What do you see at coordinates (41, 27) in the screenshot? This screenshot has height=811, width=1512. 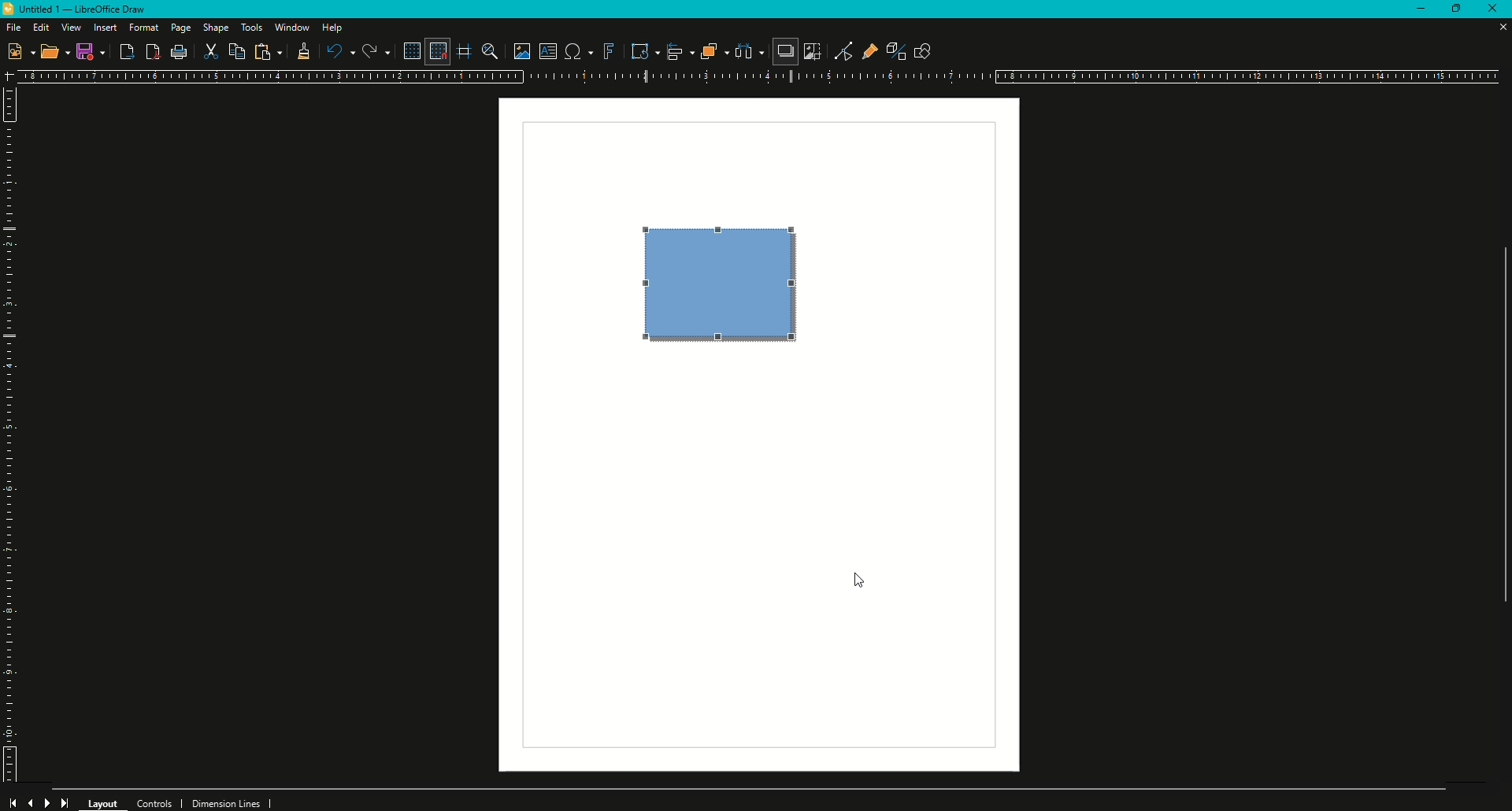 I see `Edit` at bounding box center [41, 27].